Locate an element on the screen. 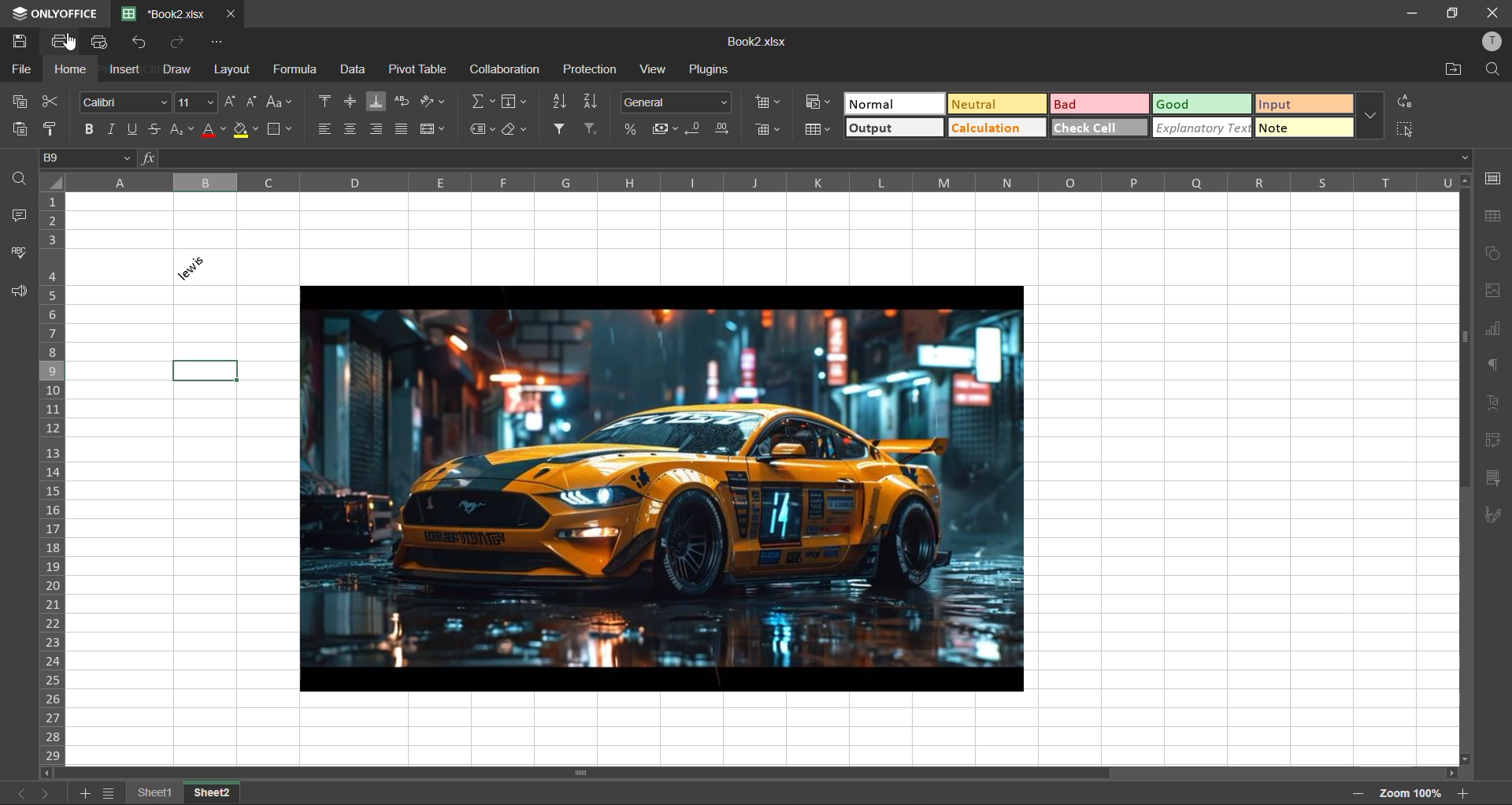  paste is located at coordinates (20, 128).